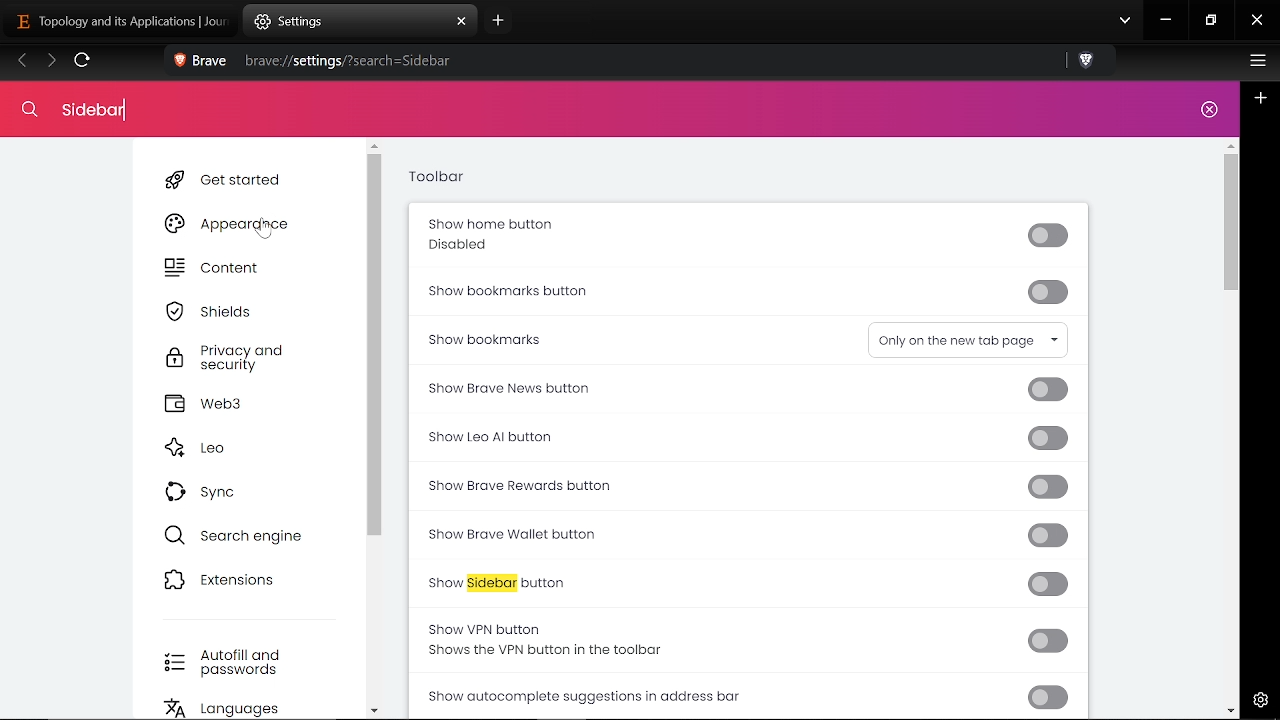 The width and height of the screenshot is (1280, 720). What do you see at coordinates (376, 347) in the screenshot?
I see `Vertical scrolbar for sidebar menu` at bounding box center [376, 347].